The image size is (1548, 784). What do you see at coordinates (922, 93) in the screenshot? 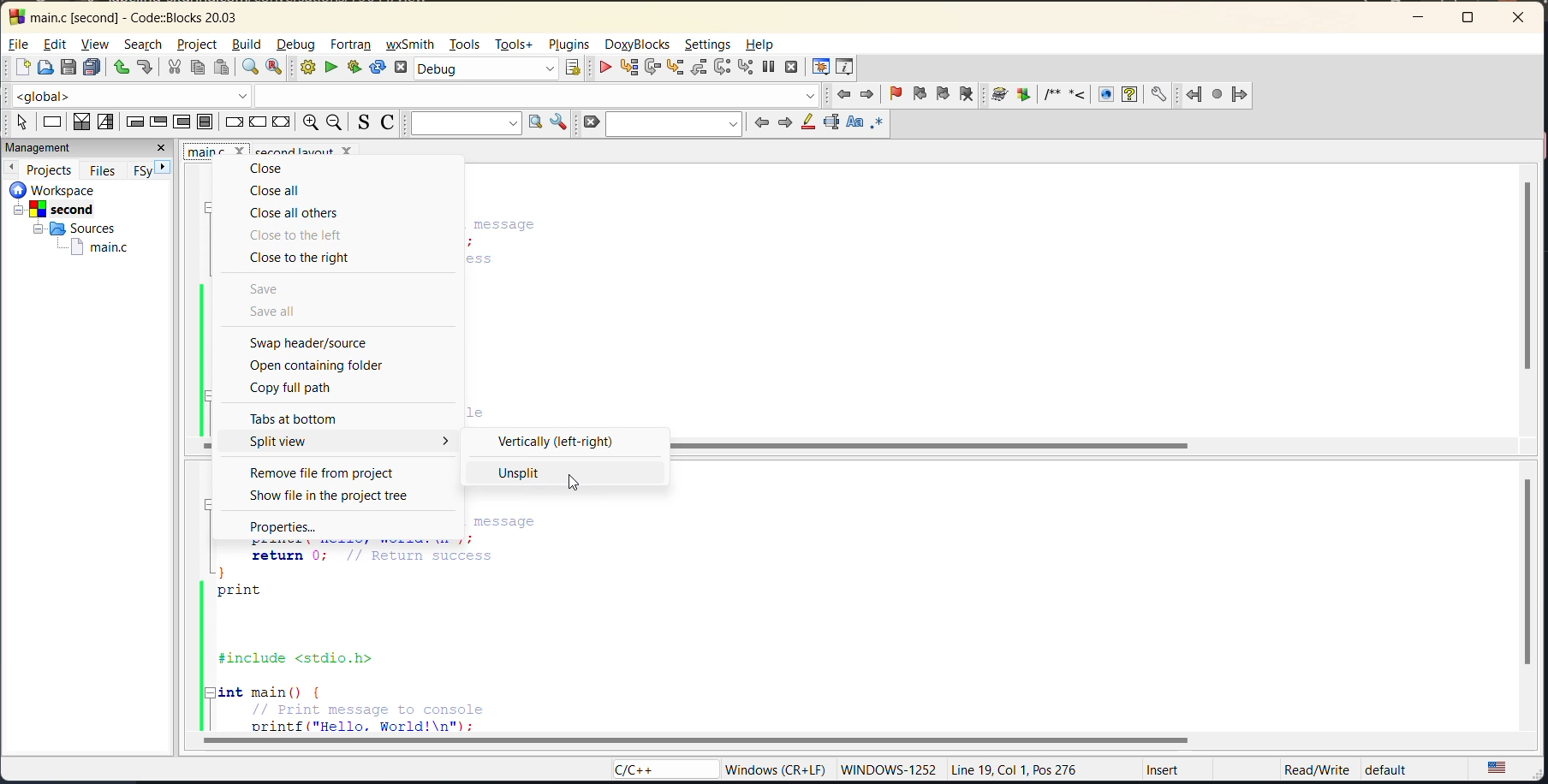
I see `previous bookmark` at bounding box center [922, 93].